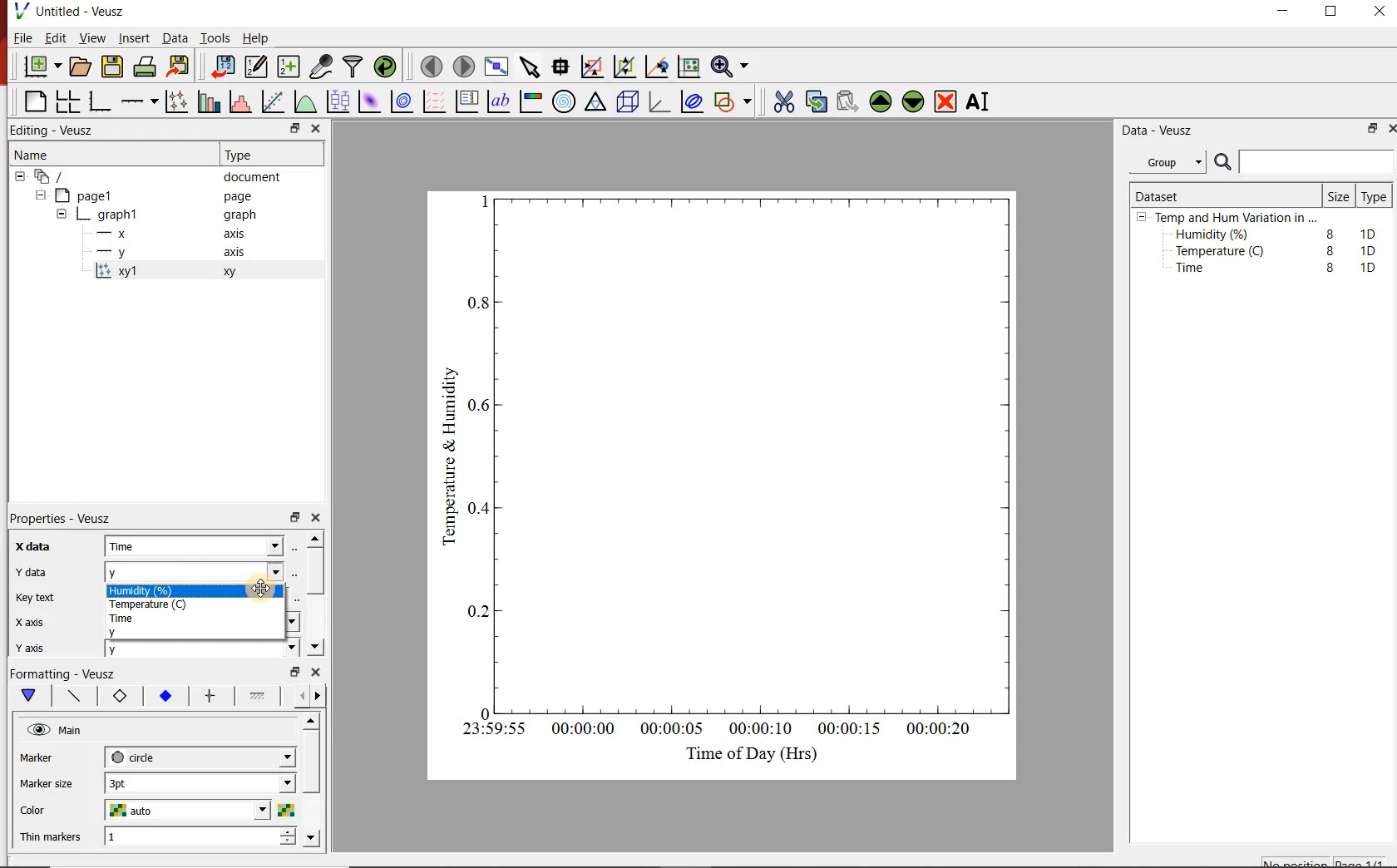  What do you see at coordinates (49, 759) in the screenshot?
I see `Marker` at bounding box center [49, 759].